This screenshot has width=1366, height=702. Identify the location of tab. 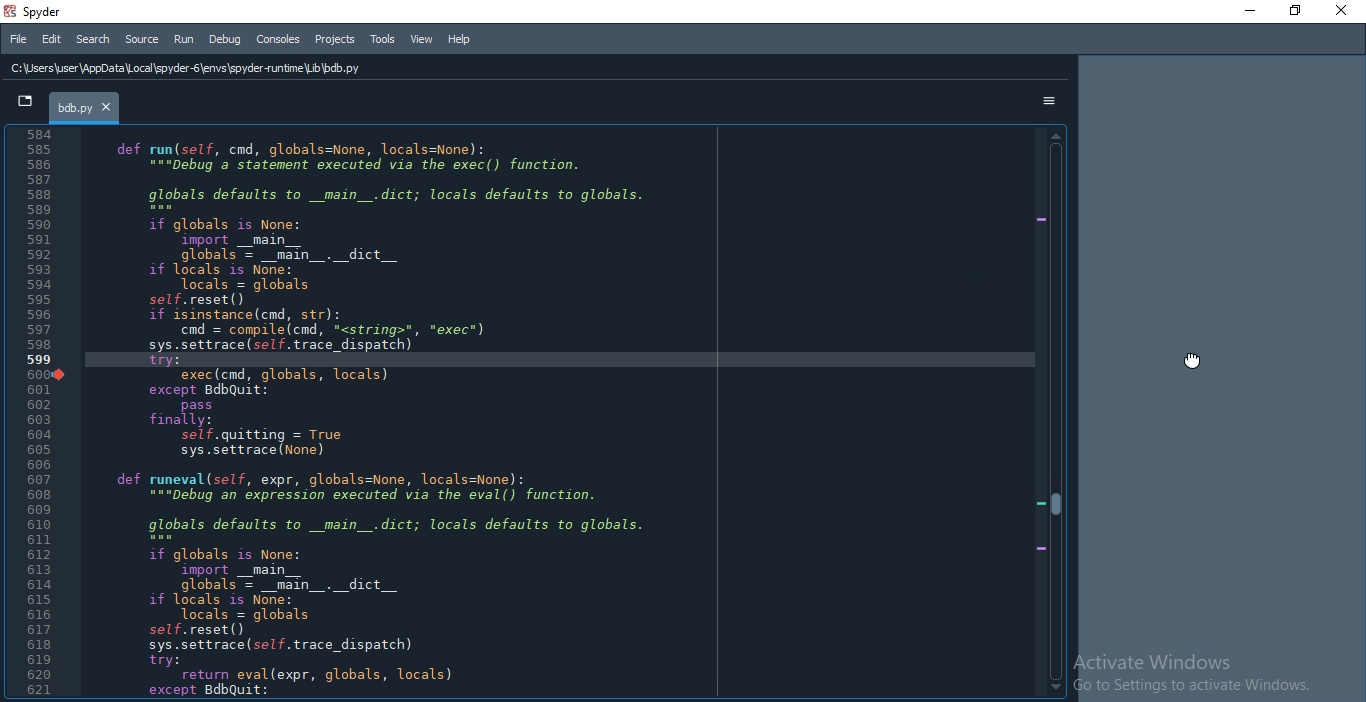
(25, 100).